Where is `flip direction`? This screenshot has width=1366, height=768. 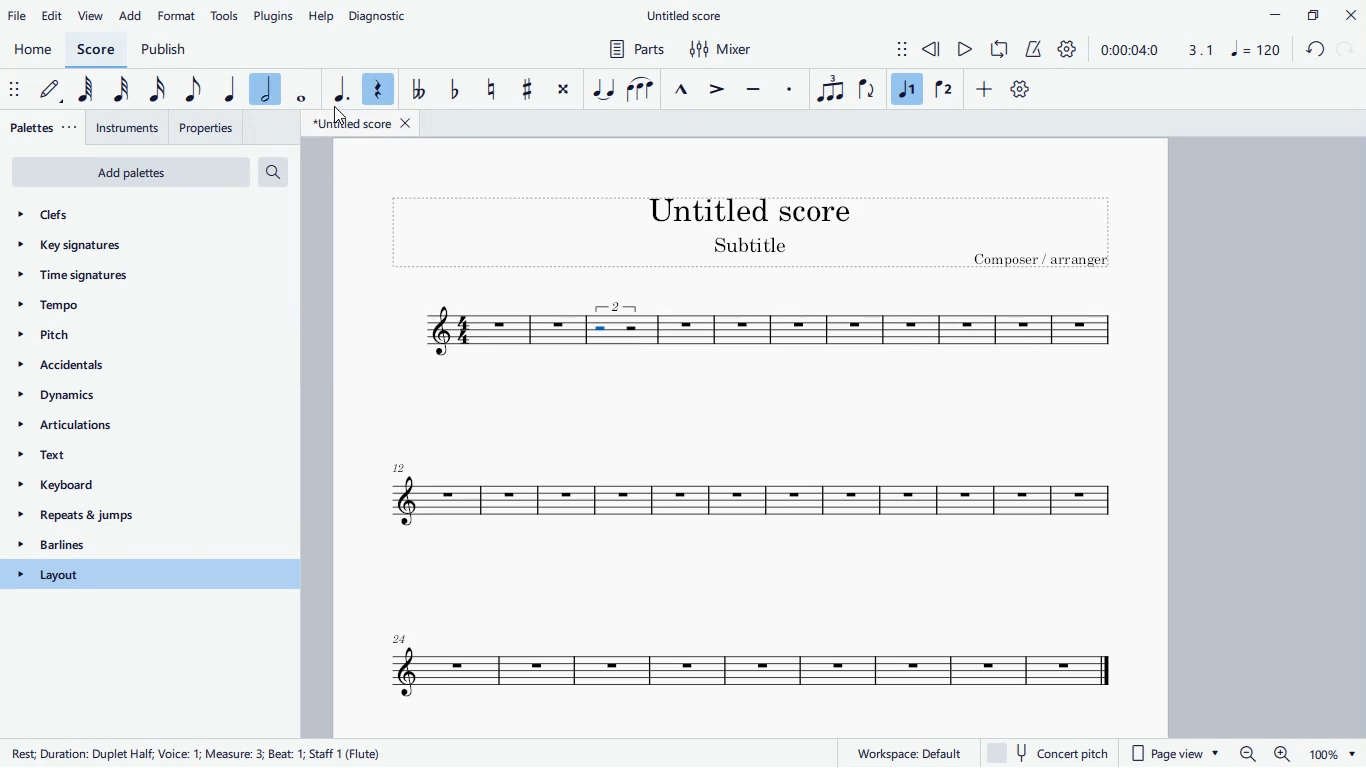
flip direction is located at coordinates (867, 90).